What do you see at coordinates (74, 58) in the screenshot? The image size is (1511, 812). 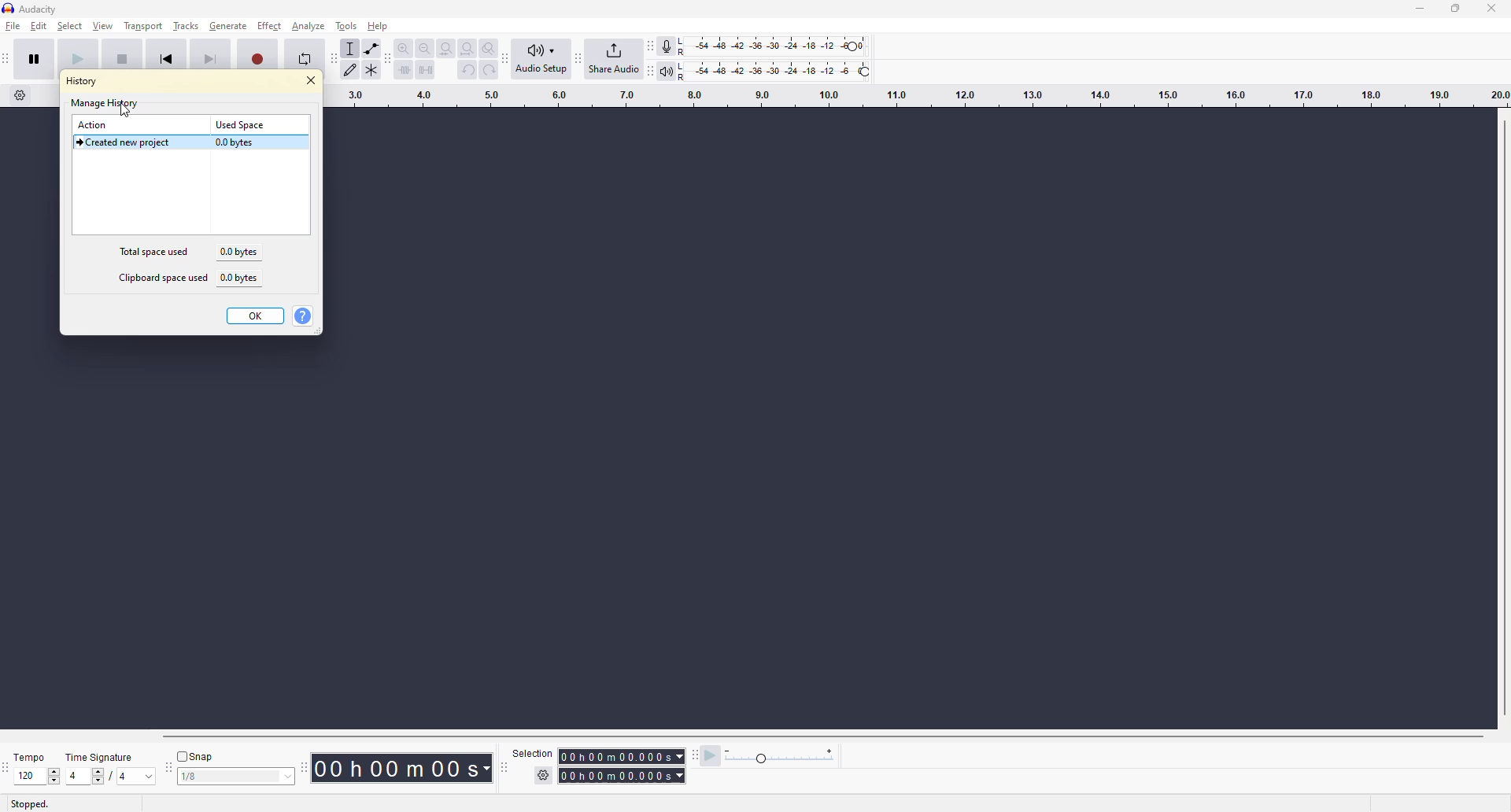 I see `play` at bounding box center [74, 58].